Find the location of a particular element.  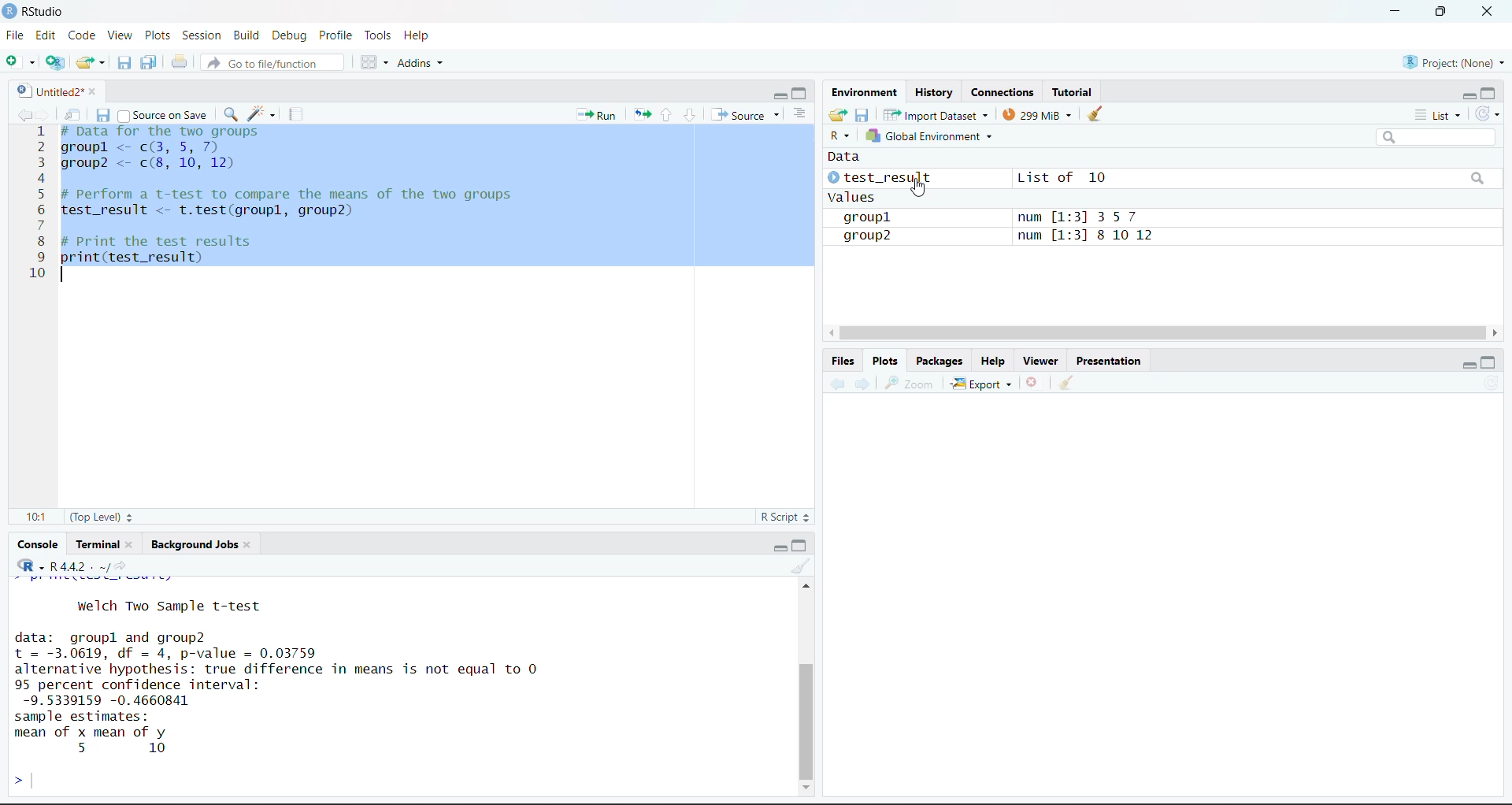

Connections is located at coordinates (1006, 92).